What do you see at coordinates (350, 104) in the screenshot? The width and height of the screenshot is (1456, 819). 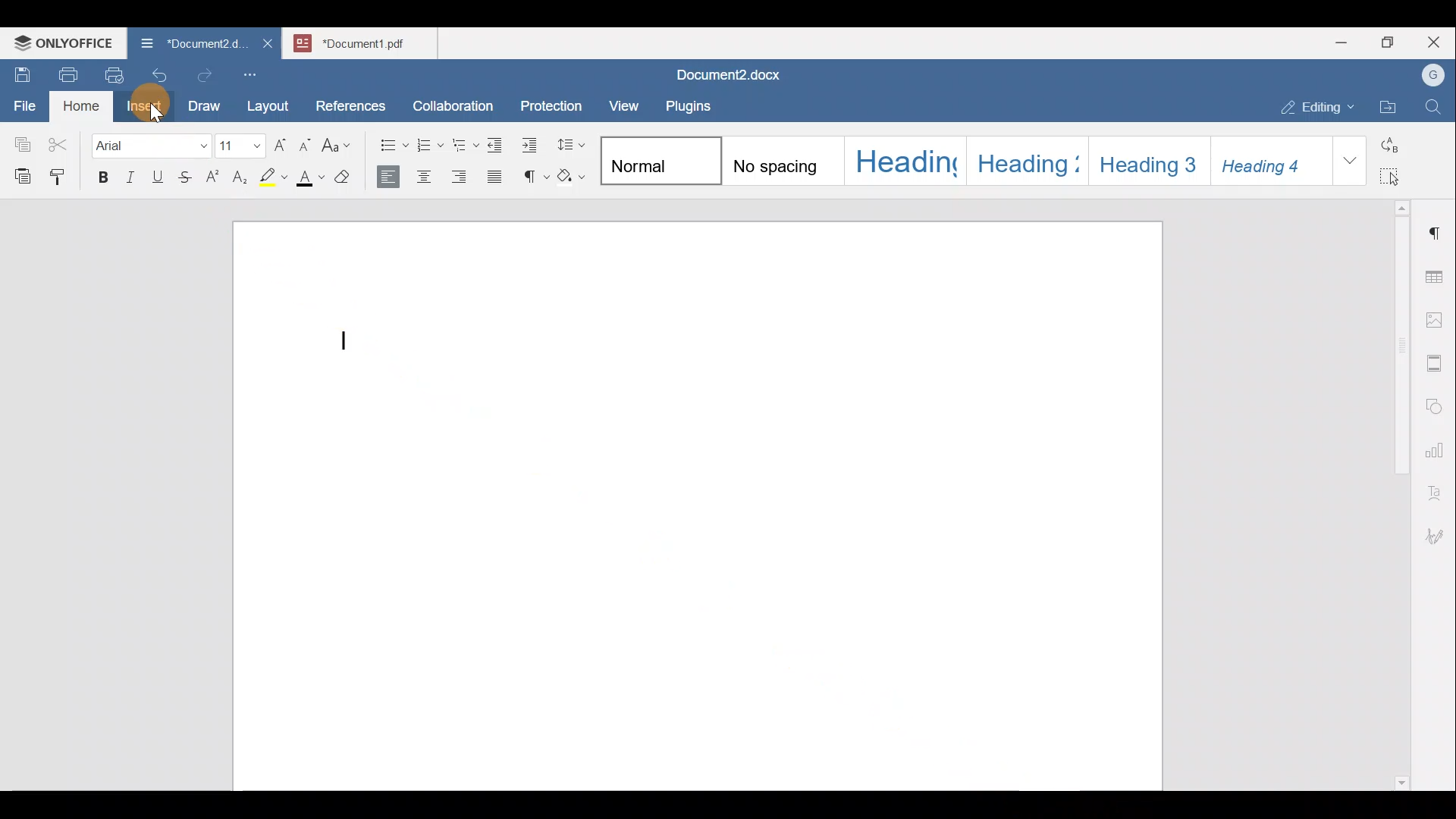 I see `References` at bounding box center [350, 104].